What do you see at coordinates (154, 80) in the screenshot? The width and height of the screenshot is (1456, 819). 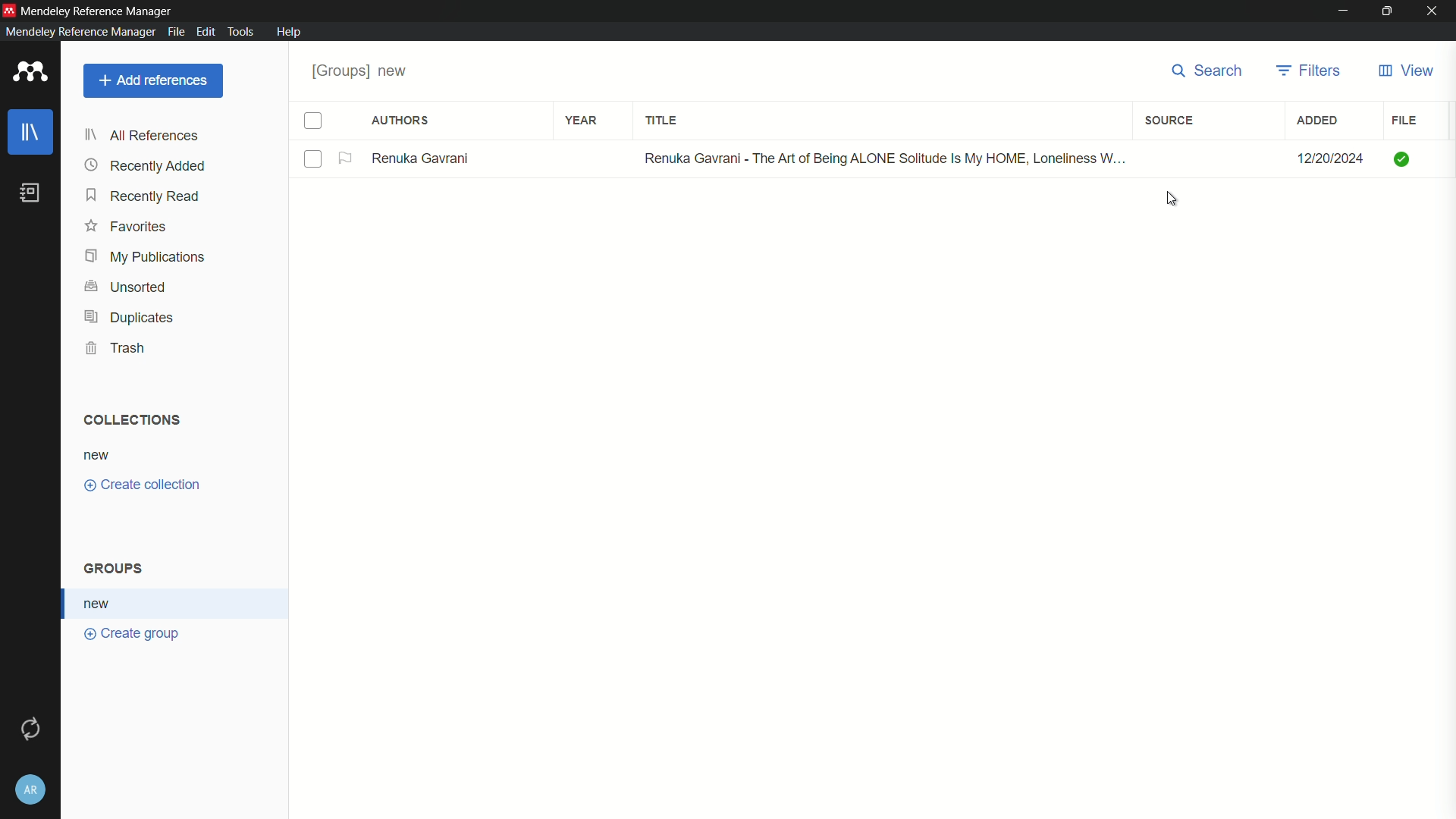 I see `add reference` at bounding box center [154, 80].